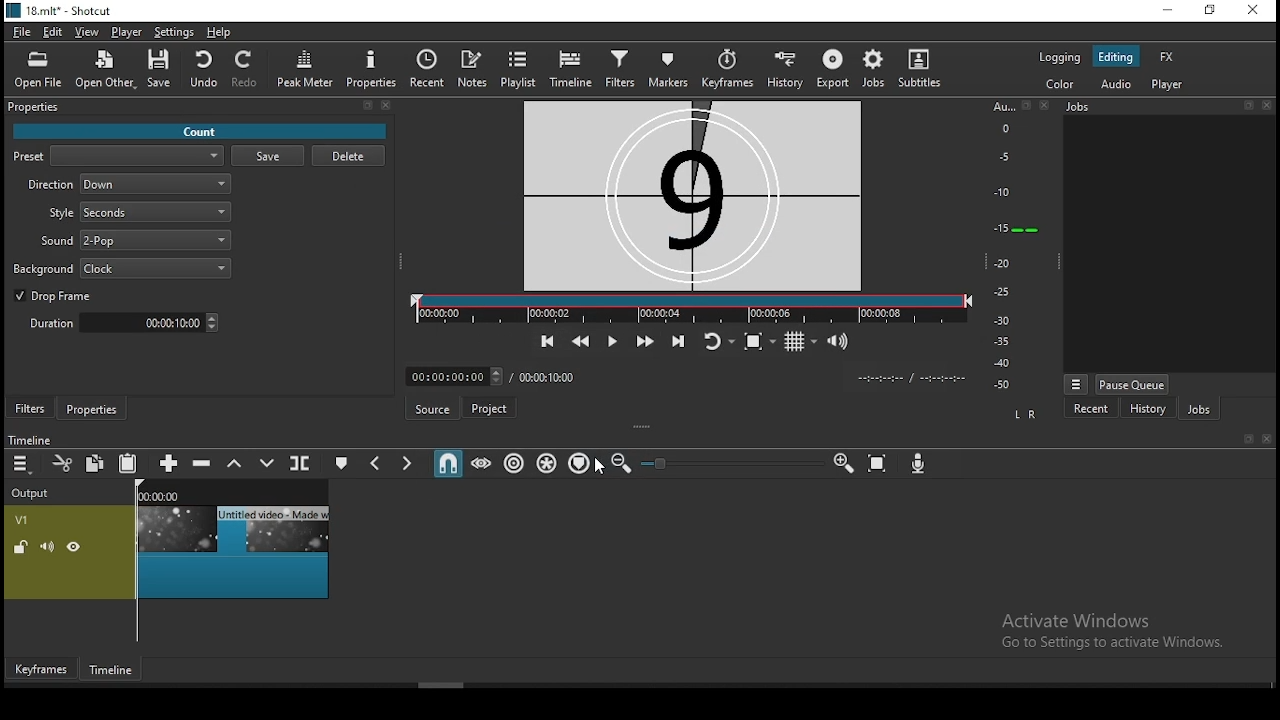  I want to click on playlist, so click(519, 69).